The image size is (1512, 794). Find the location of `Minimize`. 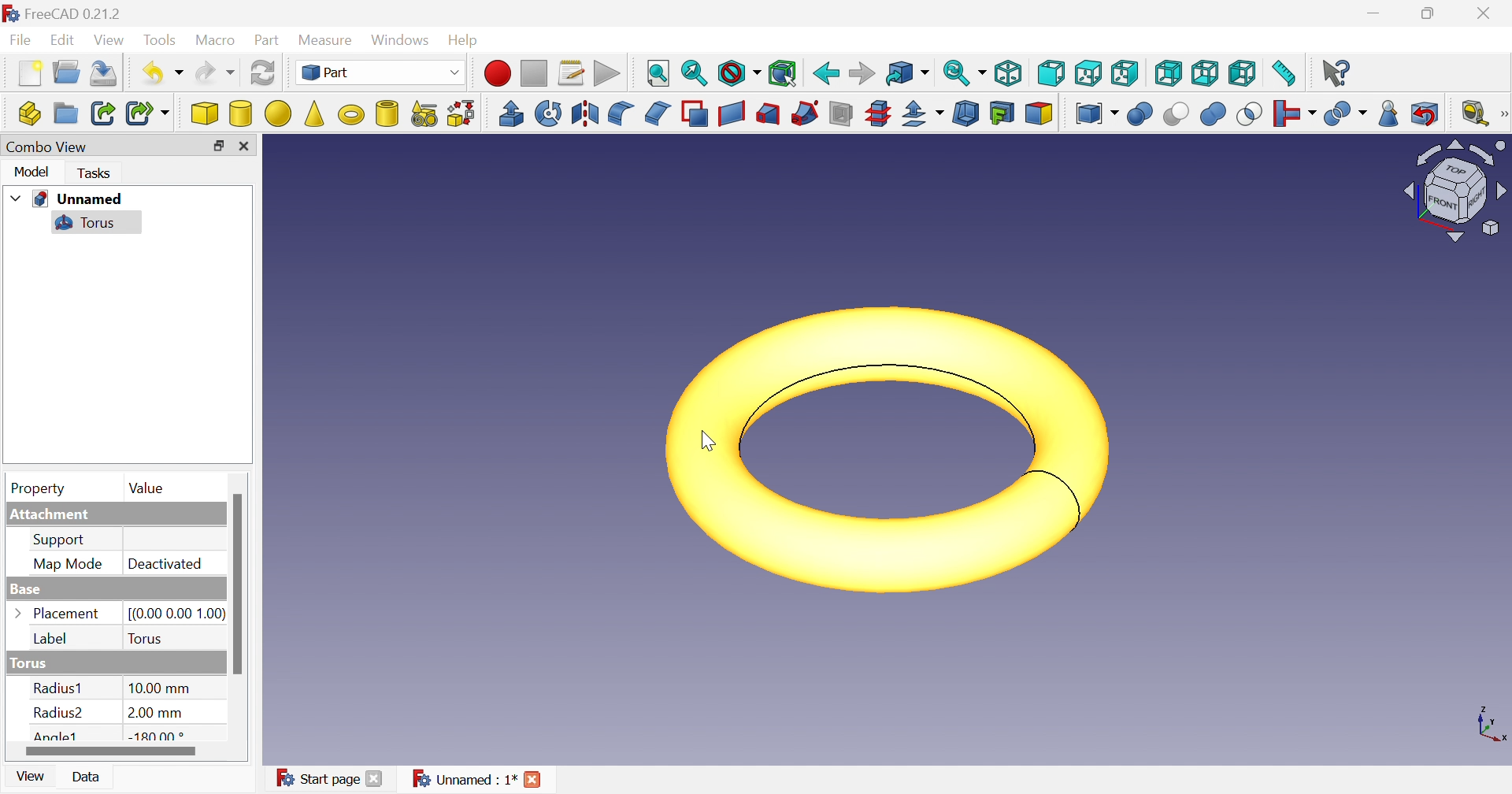

Minimize is located at coordinates (1376, 13).